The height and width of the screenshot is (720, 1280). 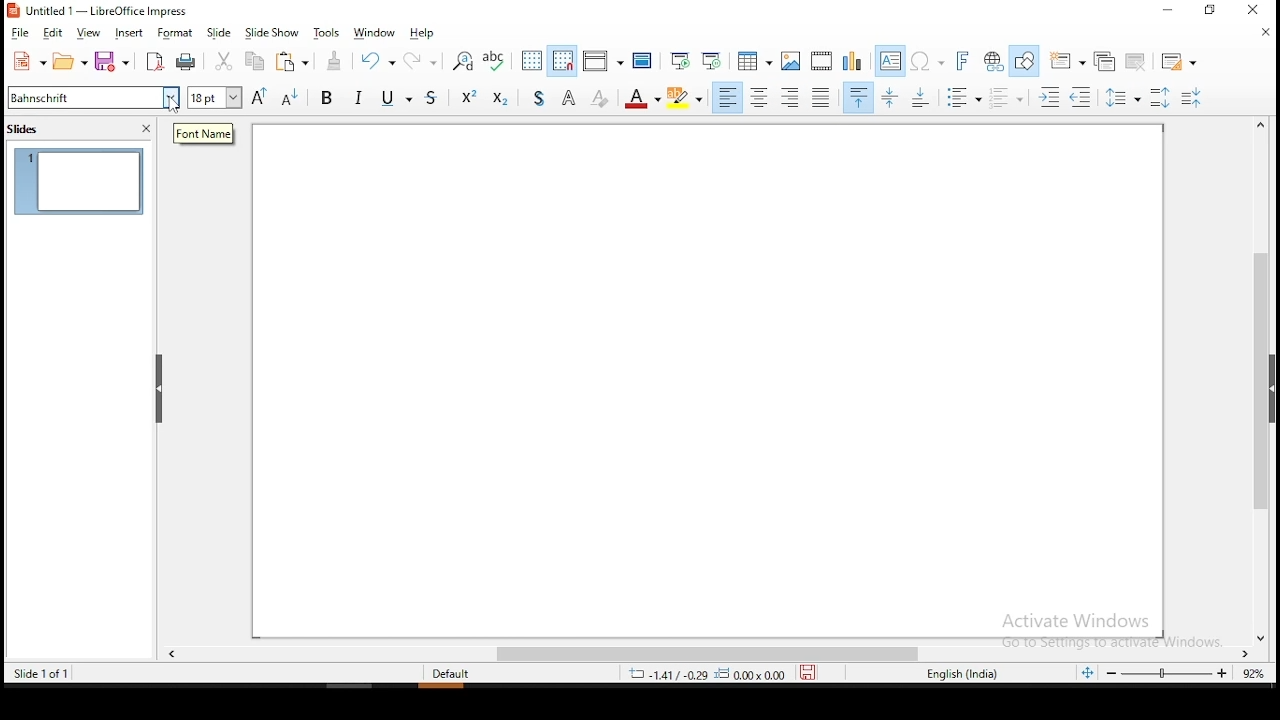 What do you see at coordinates (563, 60) in the screenshot?
I see `snap to grid` at bounding box center [563, 60].